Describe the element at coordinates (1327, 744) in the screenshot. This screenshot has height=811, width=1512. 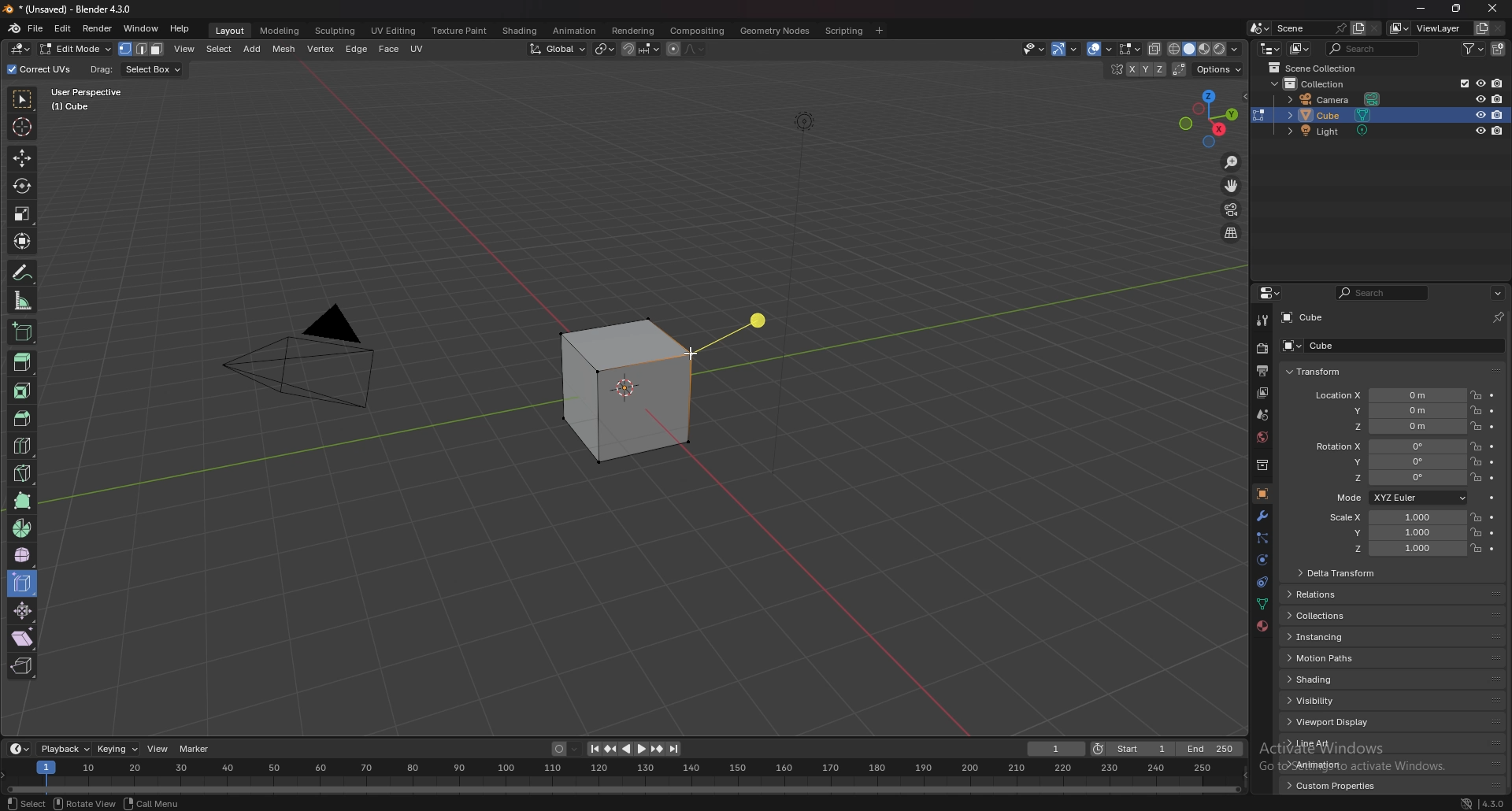
I see `line art` at that location.